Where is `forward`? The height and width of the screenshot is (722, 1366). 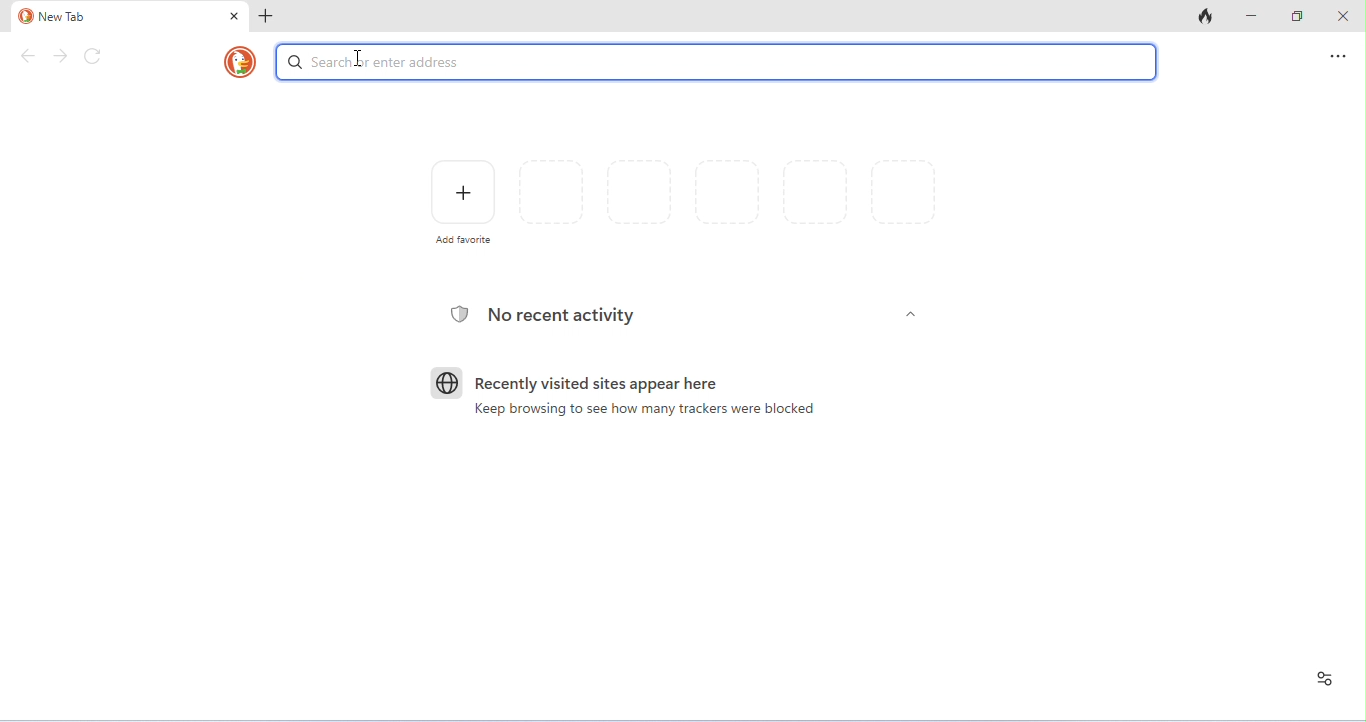 forward is located at coordinates (62, 55).